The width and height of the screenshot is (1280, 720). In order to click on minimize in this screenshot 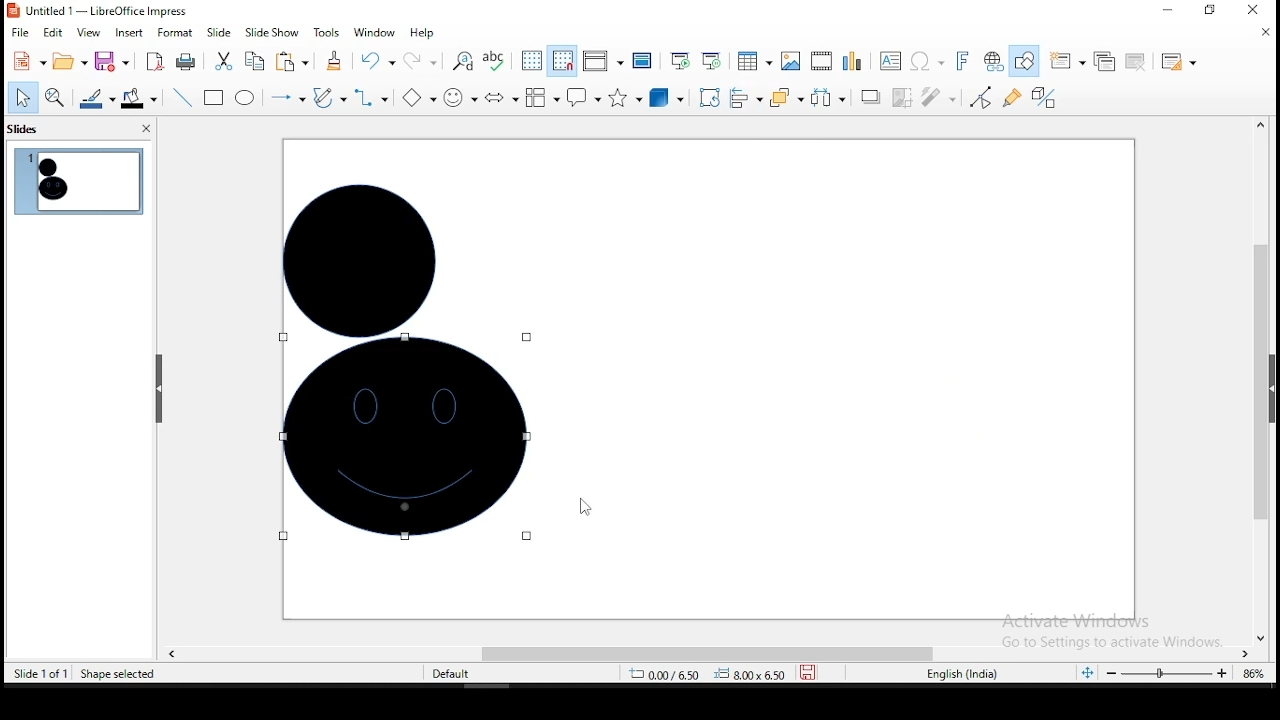, I will do `click(1168, 10)`.